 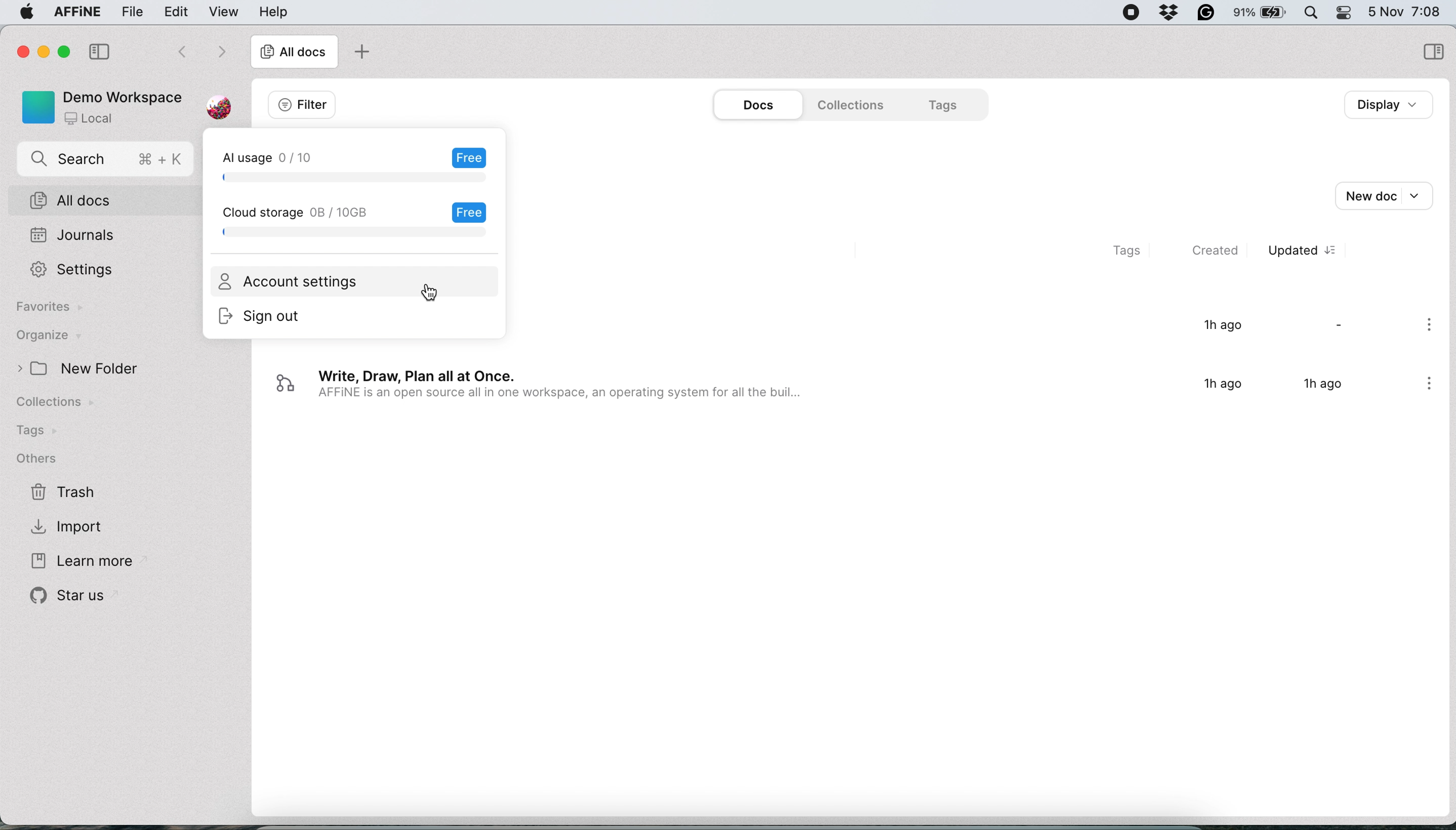 I want to click on learn more, so click(x=79, y=559).